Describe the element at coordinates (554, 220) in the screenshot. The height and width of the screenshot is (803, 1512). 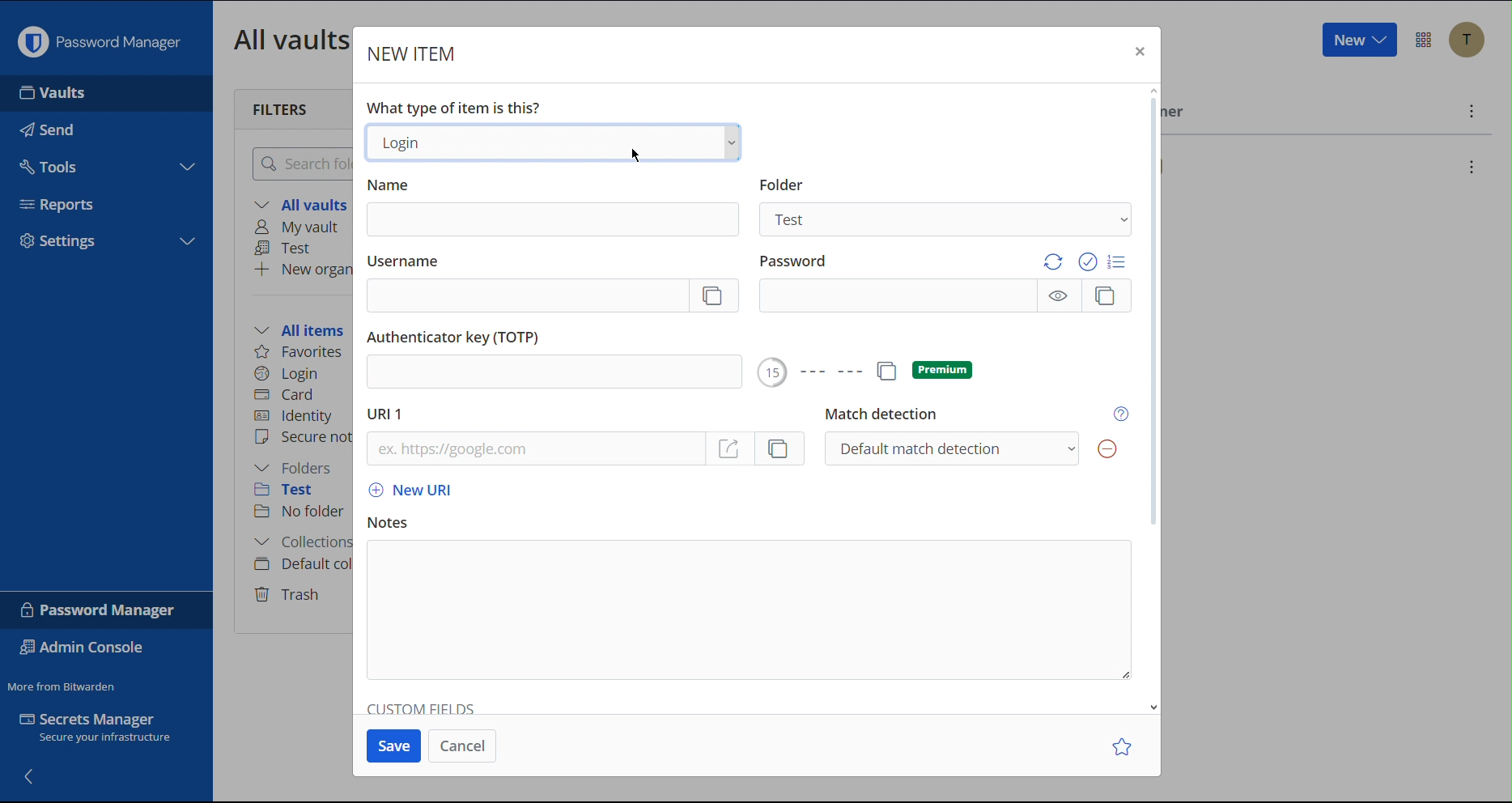
I see `Name` at that location.